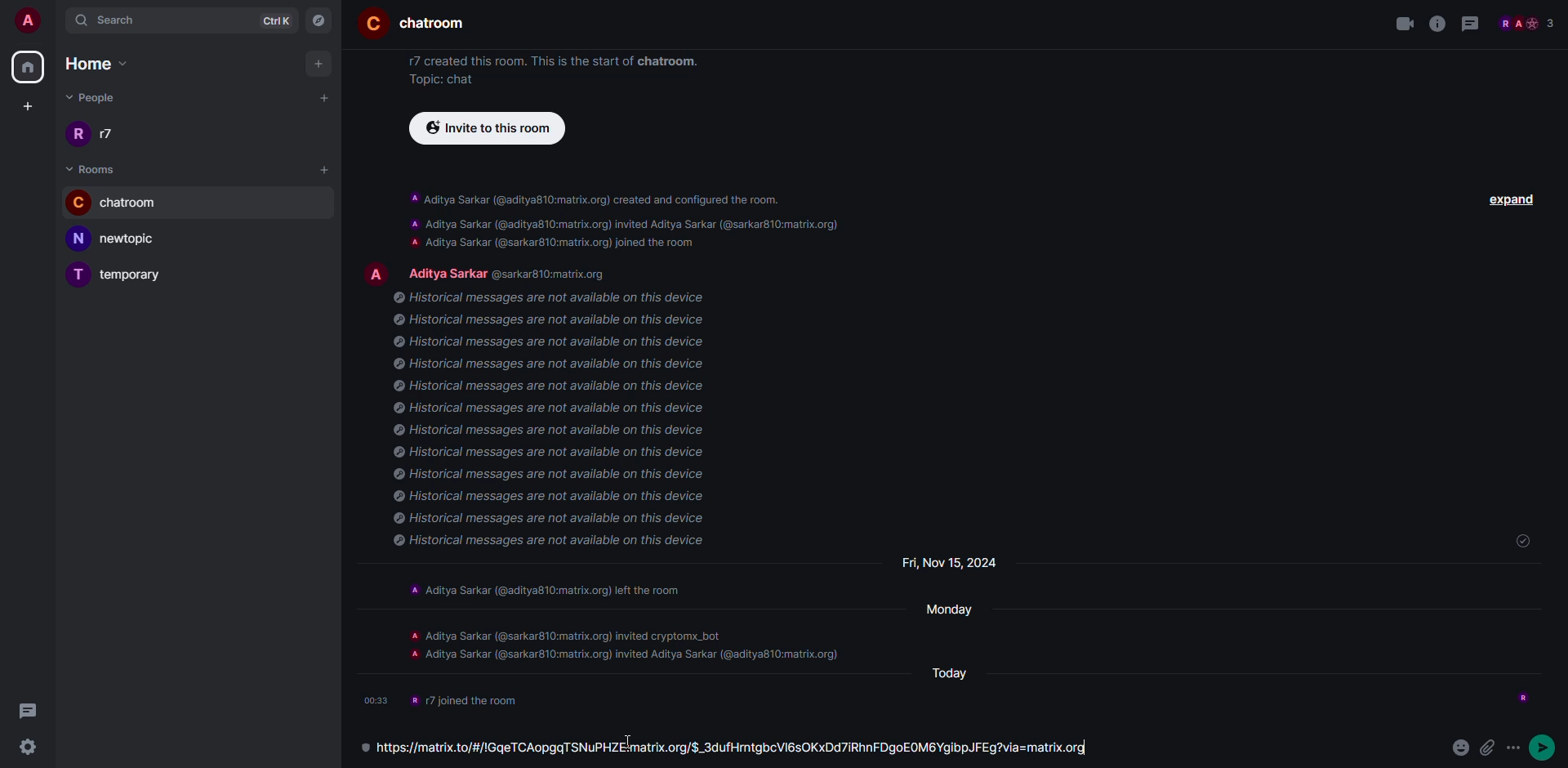  What do you see at coordinates (326, 96) in the screenshot?
I see `add` at bounding box center [326, 96].